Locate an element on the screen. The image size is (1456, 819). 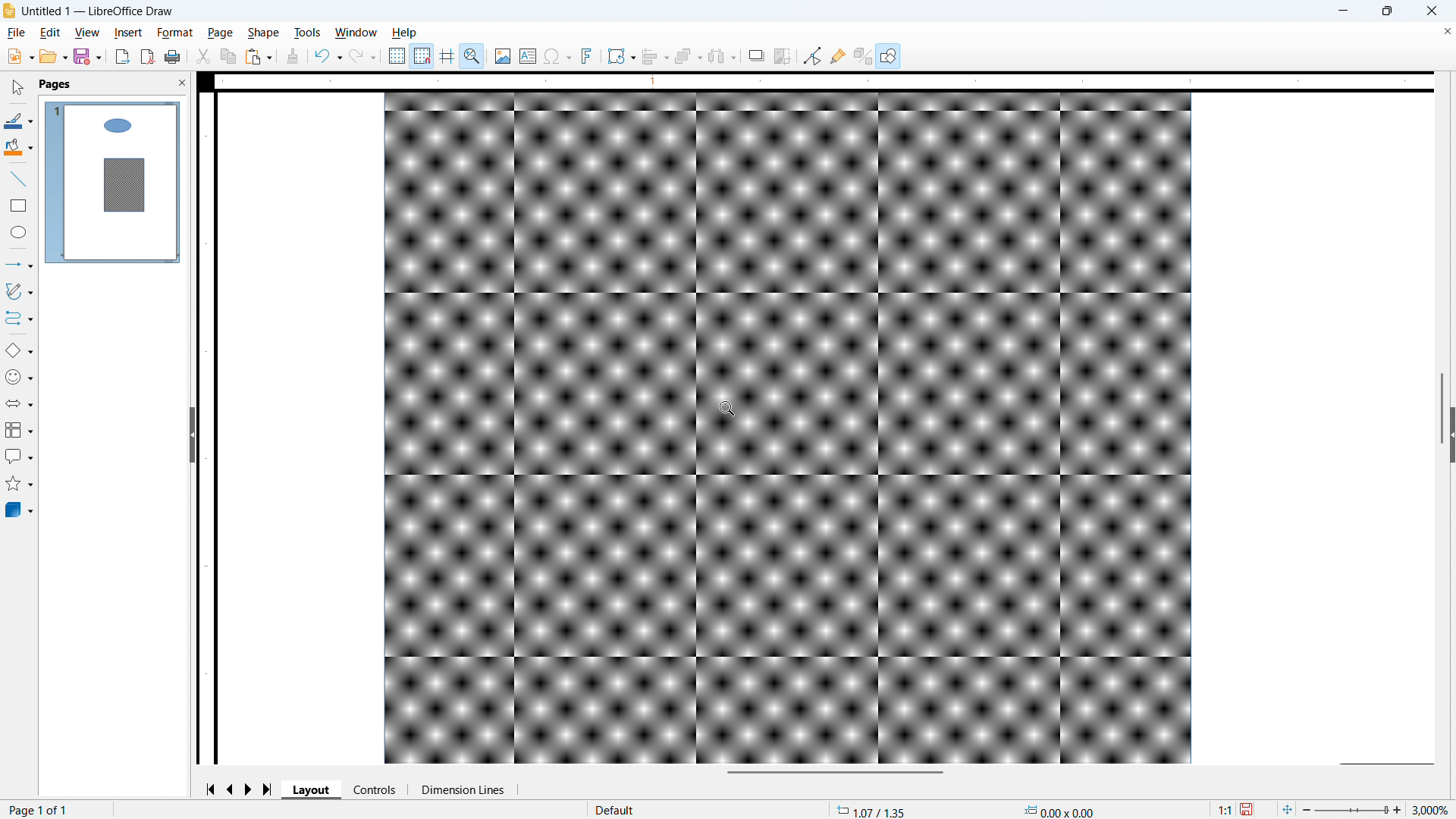
Document title  is located at coordinates (98, 11).